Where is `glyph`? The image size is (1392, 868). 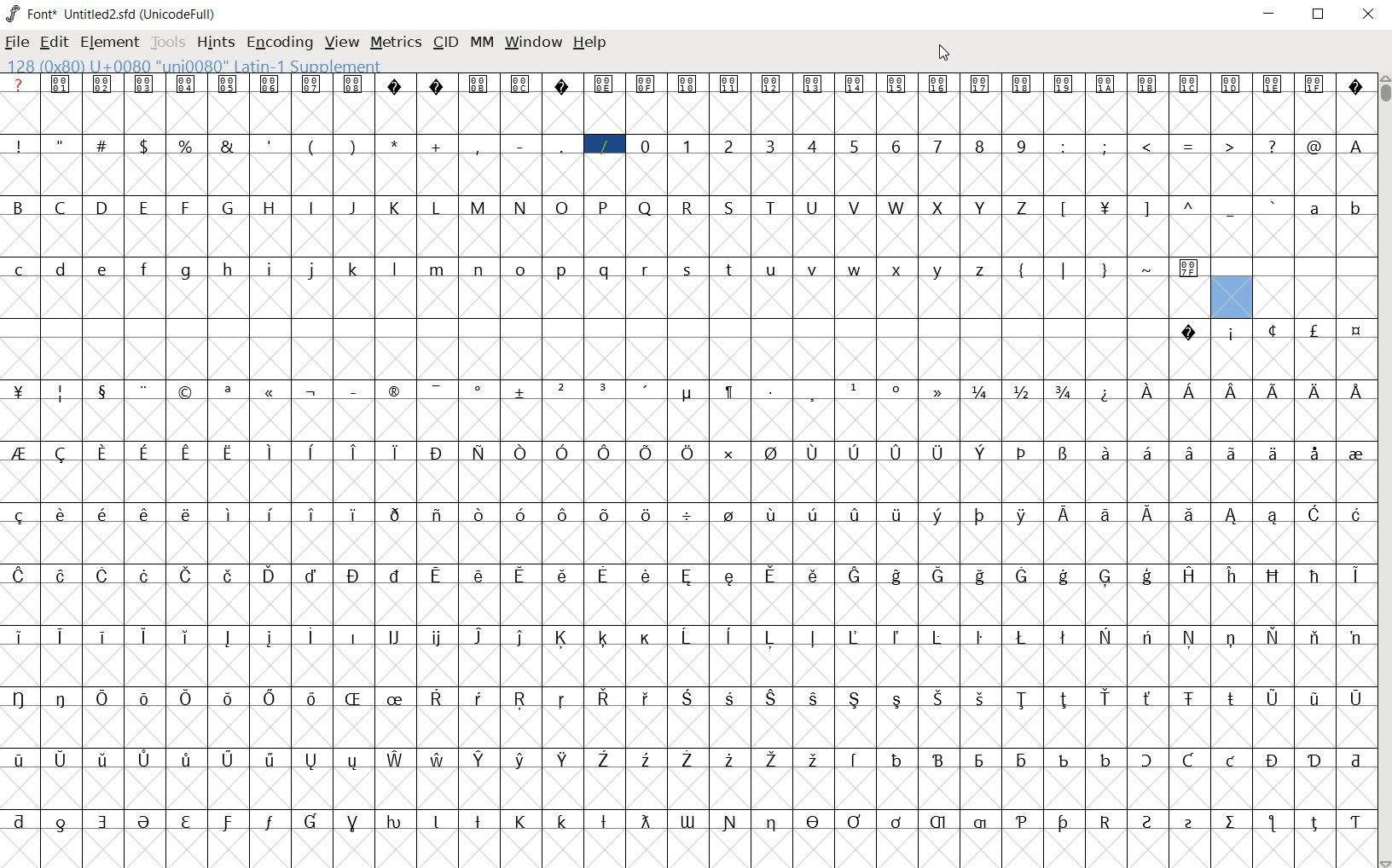
glyph is located at coordinates (228, 84).